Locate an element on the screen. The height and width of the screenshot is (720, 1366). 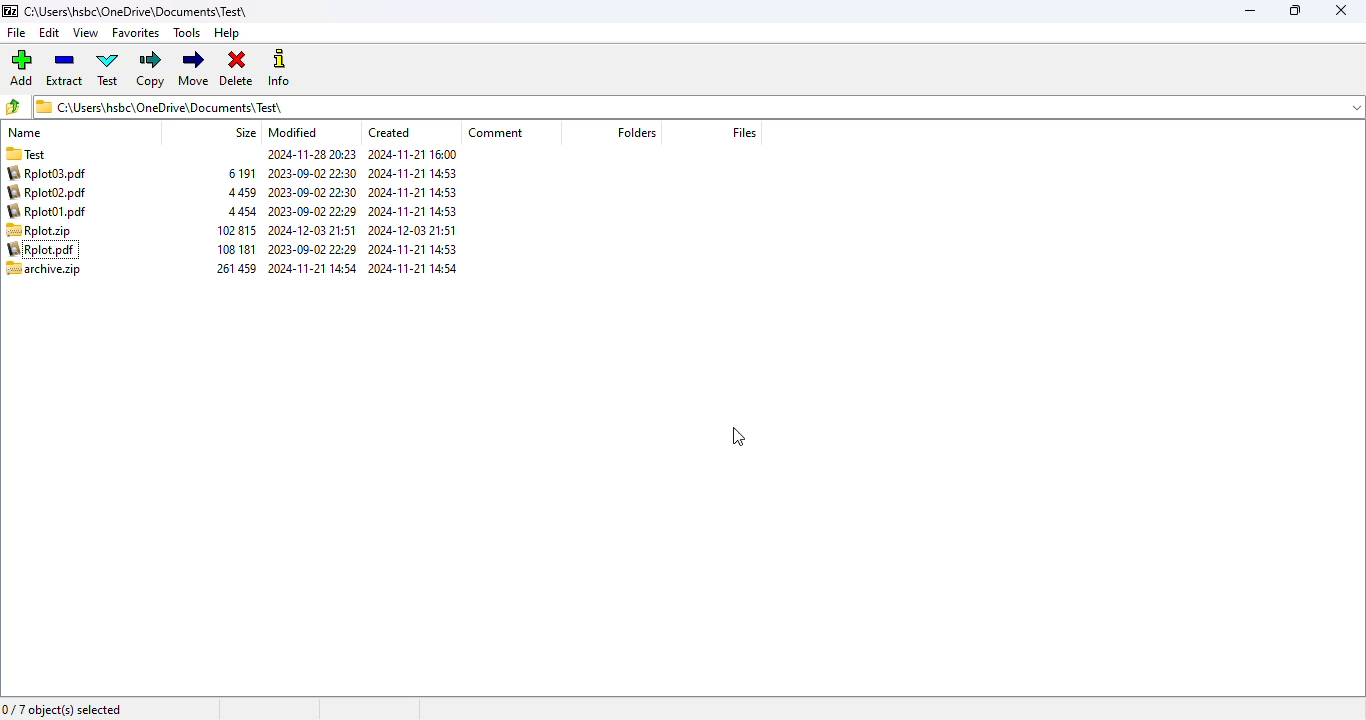
created is located at coordinates (391, 132).